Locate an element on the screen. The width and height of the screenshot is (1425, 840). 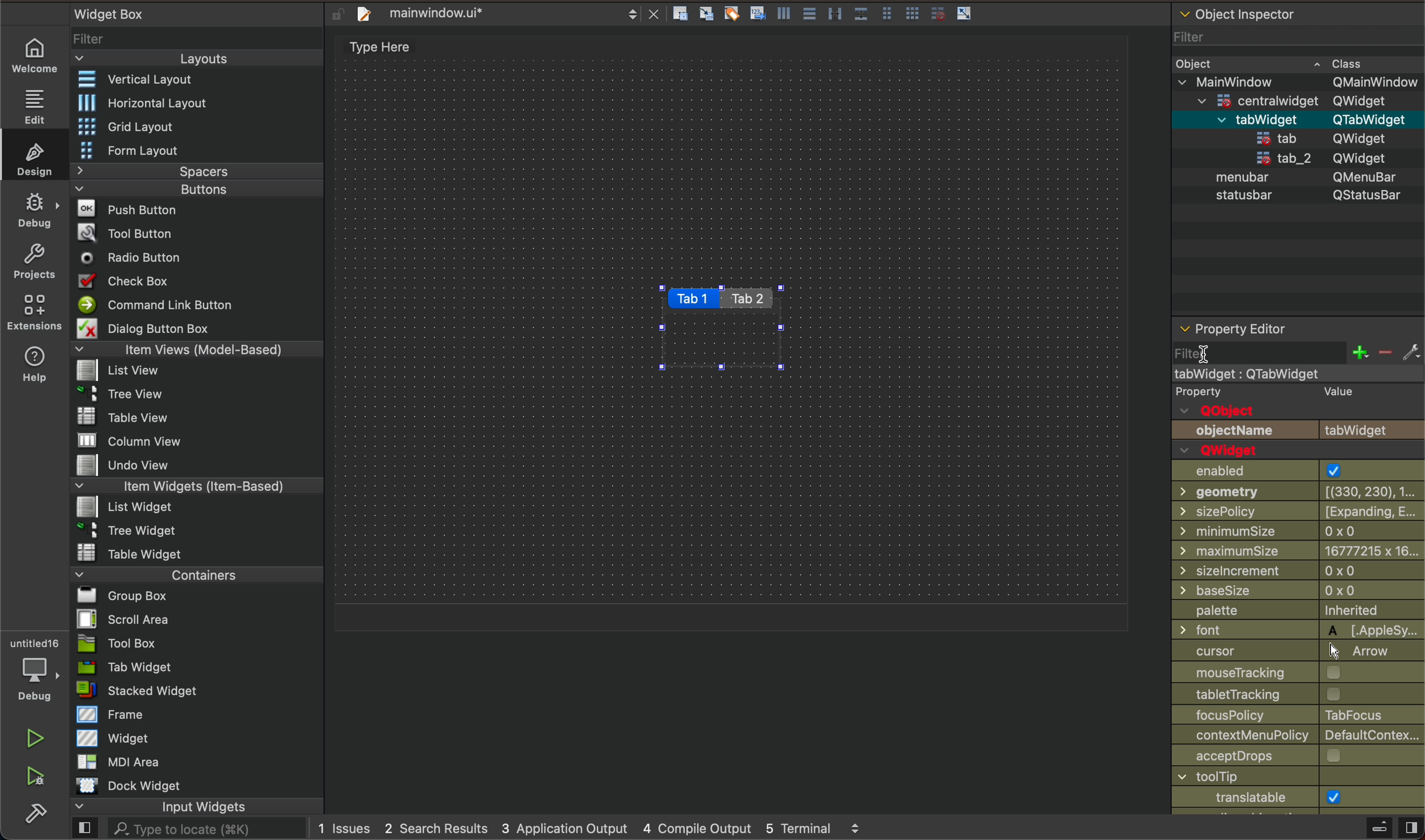
=centralwidaet OWidaet is located at coordinates (1294, 98).